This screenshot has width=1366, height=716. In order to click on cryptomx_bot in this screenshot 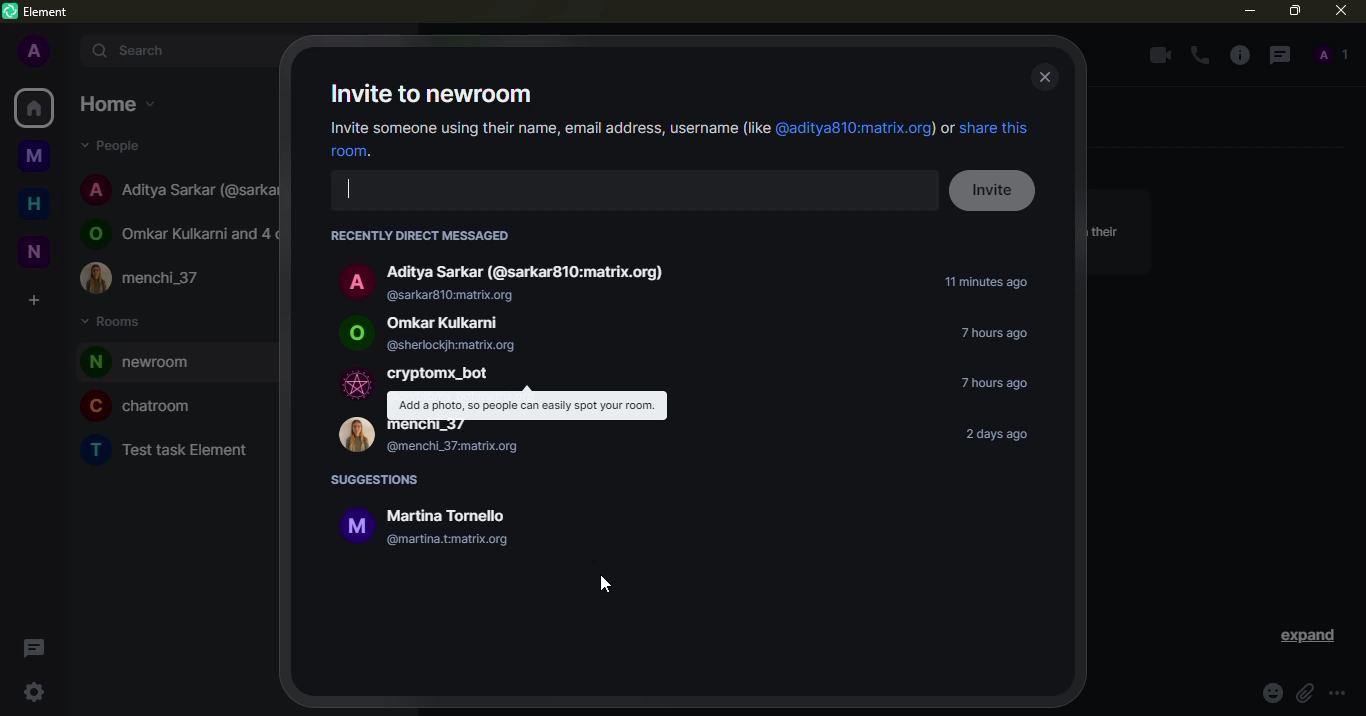, I will do `click(432, 374)`.